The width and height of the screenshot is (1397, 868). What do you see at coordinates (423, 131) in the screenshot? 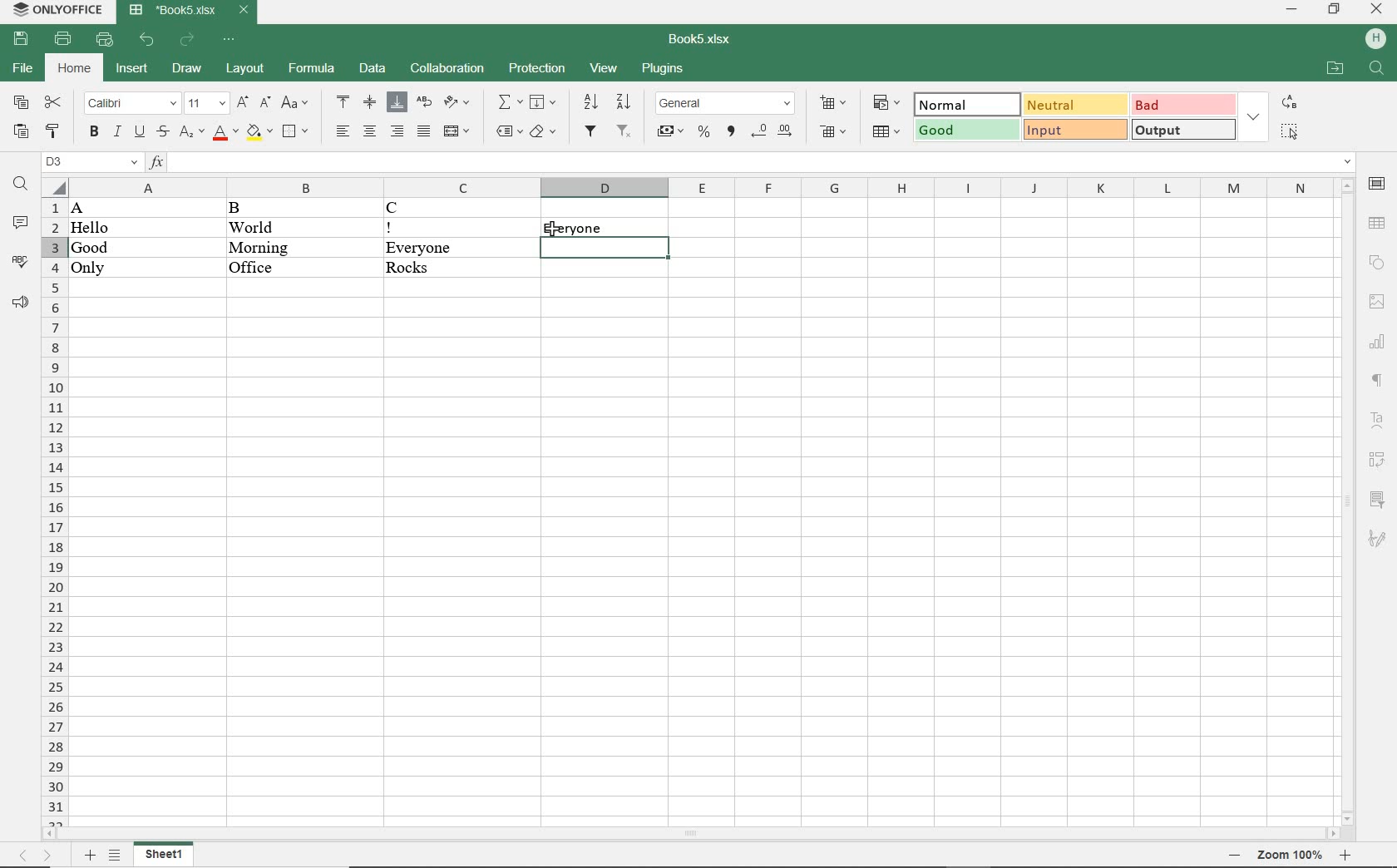
I see `justified` at bounding box center [423, 131].